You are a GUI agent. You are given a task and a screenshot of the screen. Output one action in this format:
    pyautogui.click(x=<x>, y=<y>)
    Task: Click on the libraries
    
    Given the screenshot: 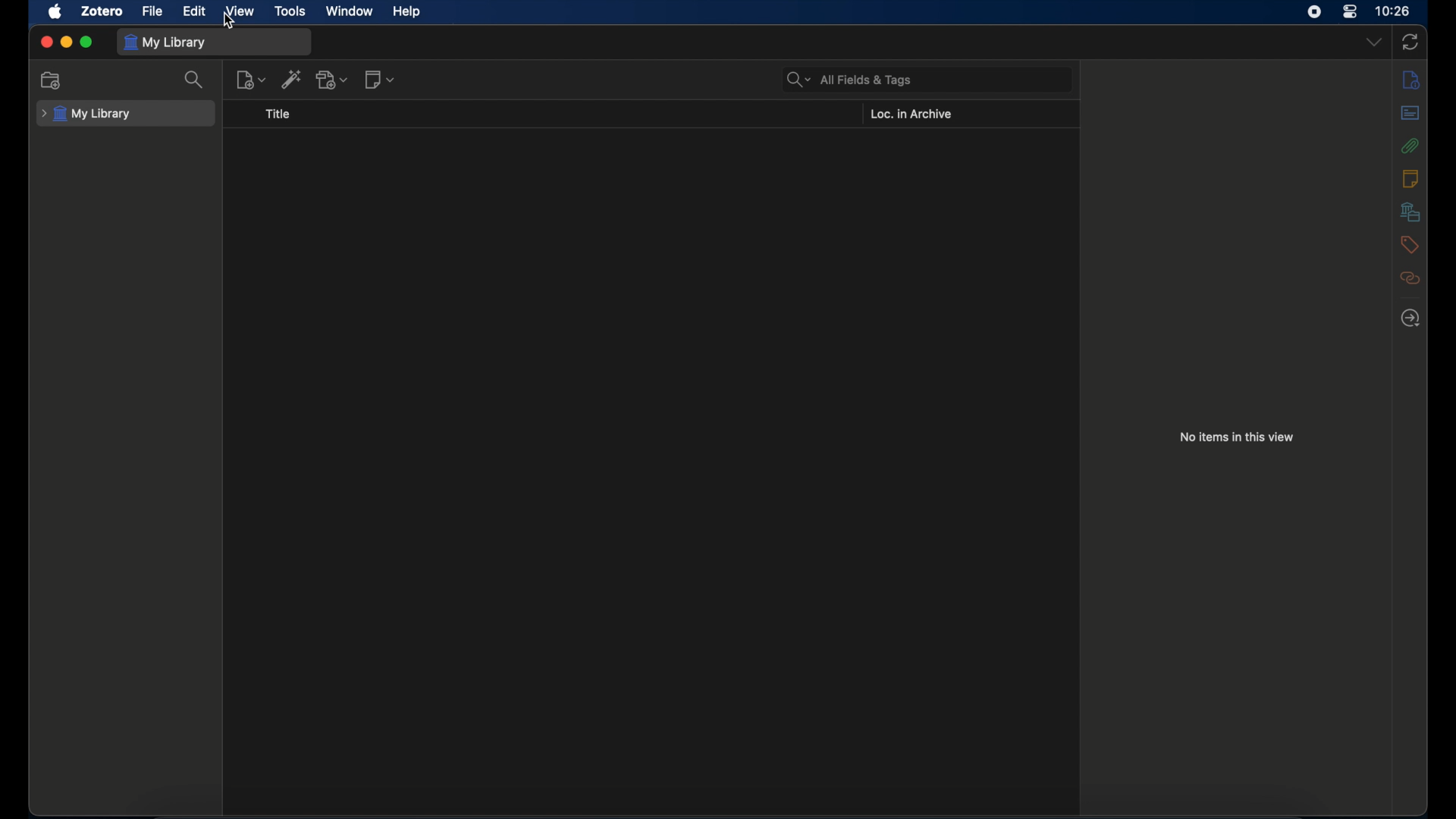 What is the action you would take?
    pyautogui.click(x=1410, y=212)
    